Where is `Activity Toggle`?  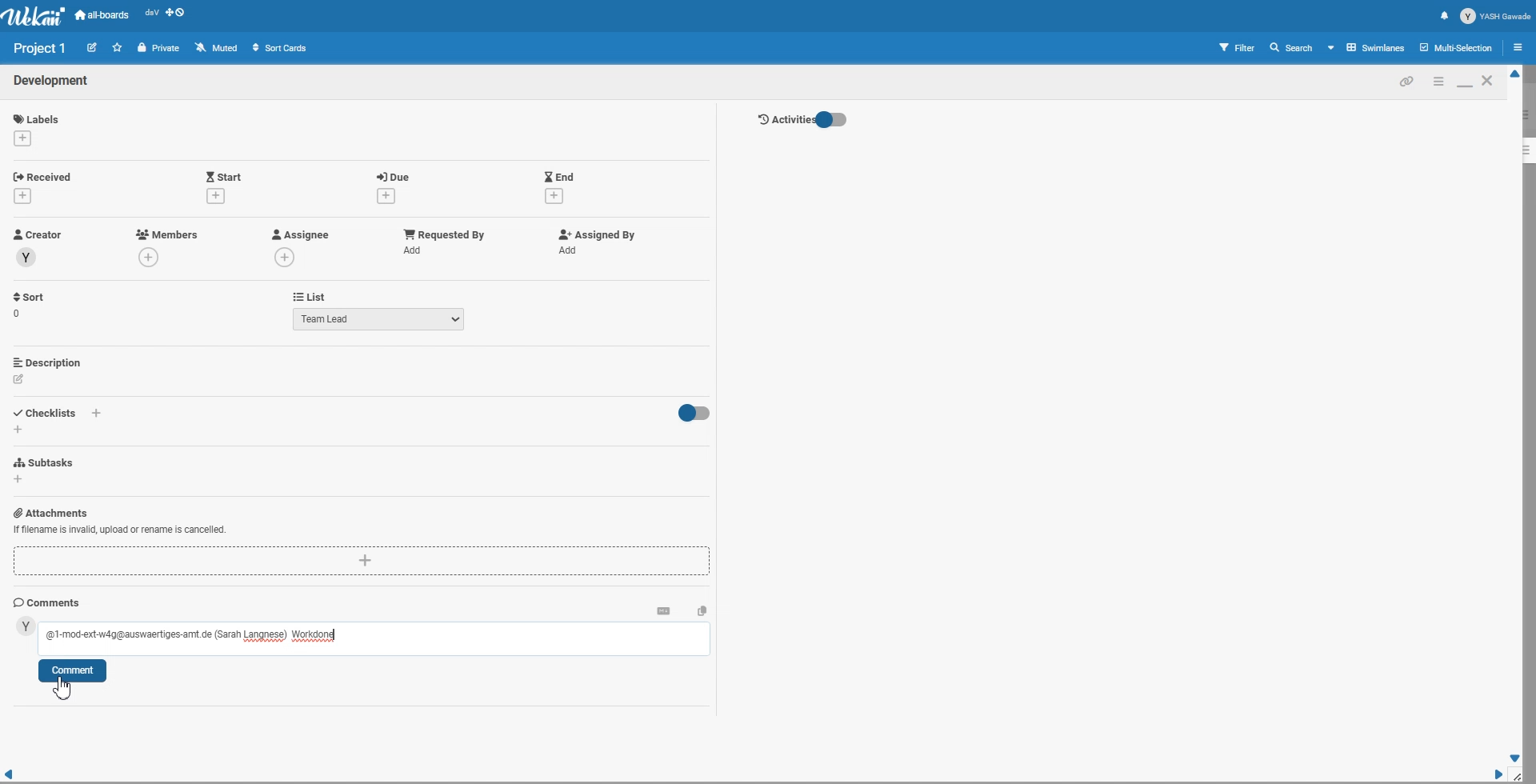 Activity Toggle is located at coordinates (802, 120).